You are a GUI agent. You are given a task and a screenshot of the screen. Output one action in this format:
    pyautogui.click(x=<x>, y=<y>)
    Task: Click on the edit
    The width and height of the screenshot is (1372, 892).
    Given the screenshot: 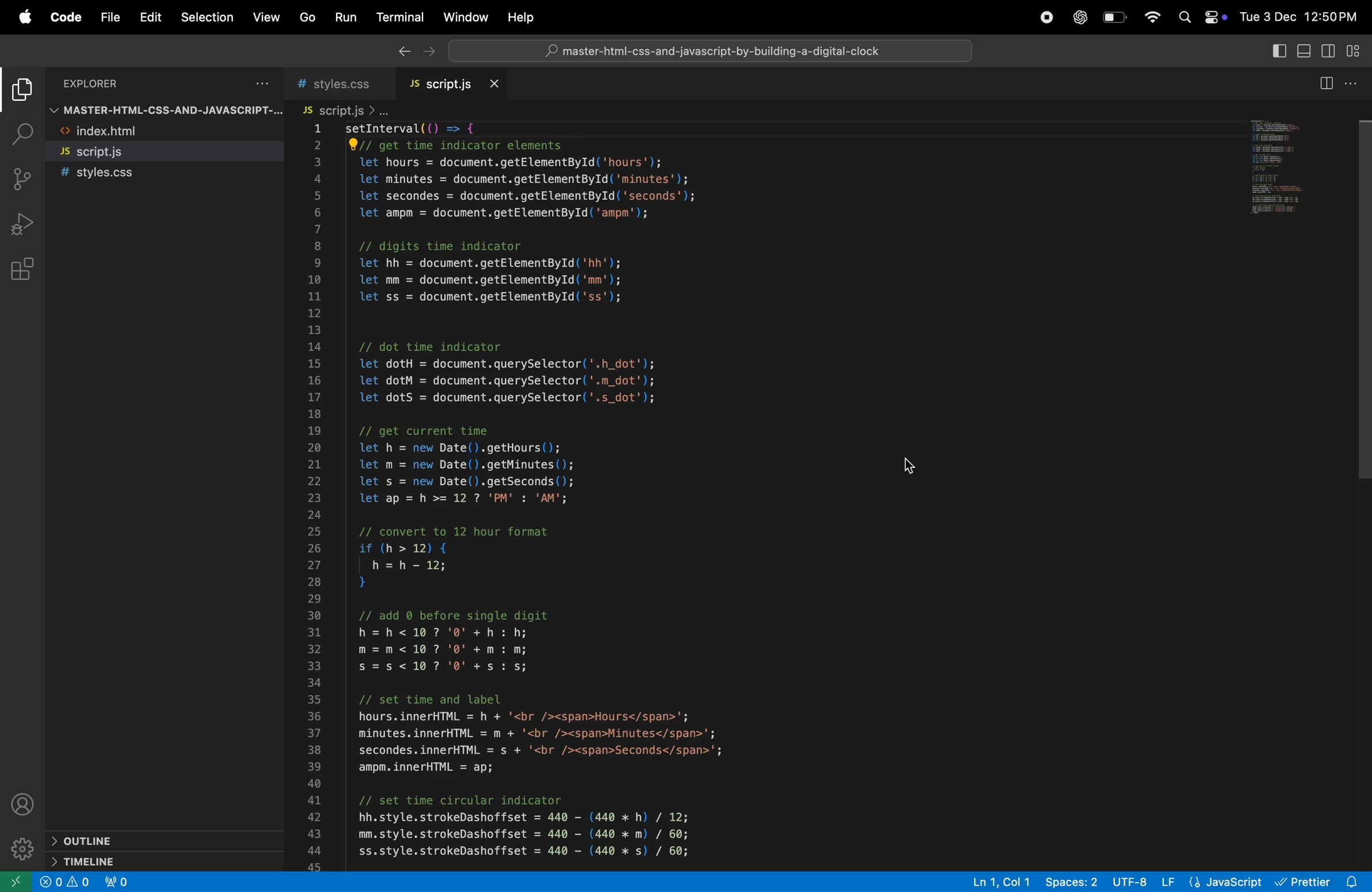 What is the action you would take?
    pyautogui.click(x=150, y=18)
    